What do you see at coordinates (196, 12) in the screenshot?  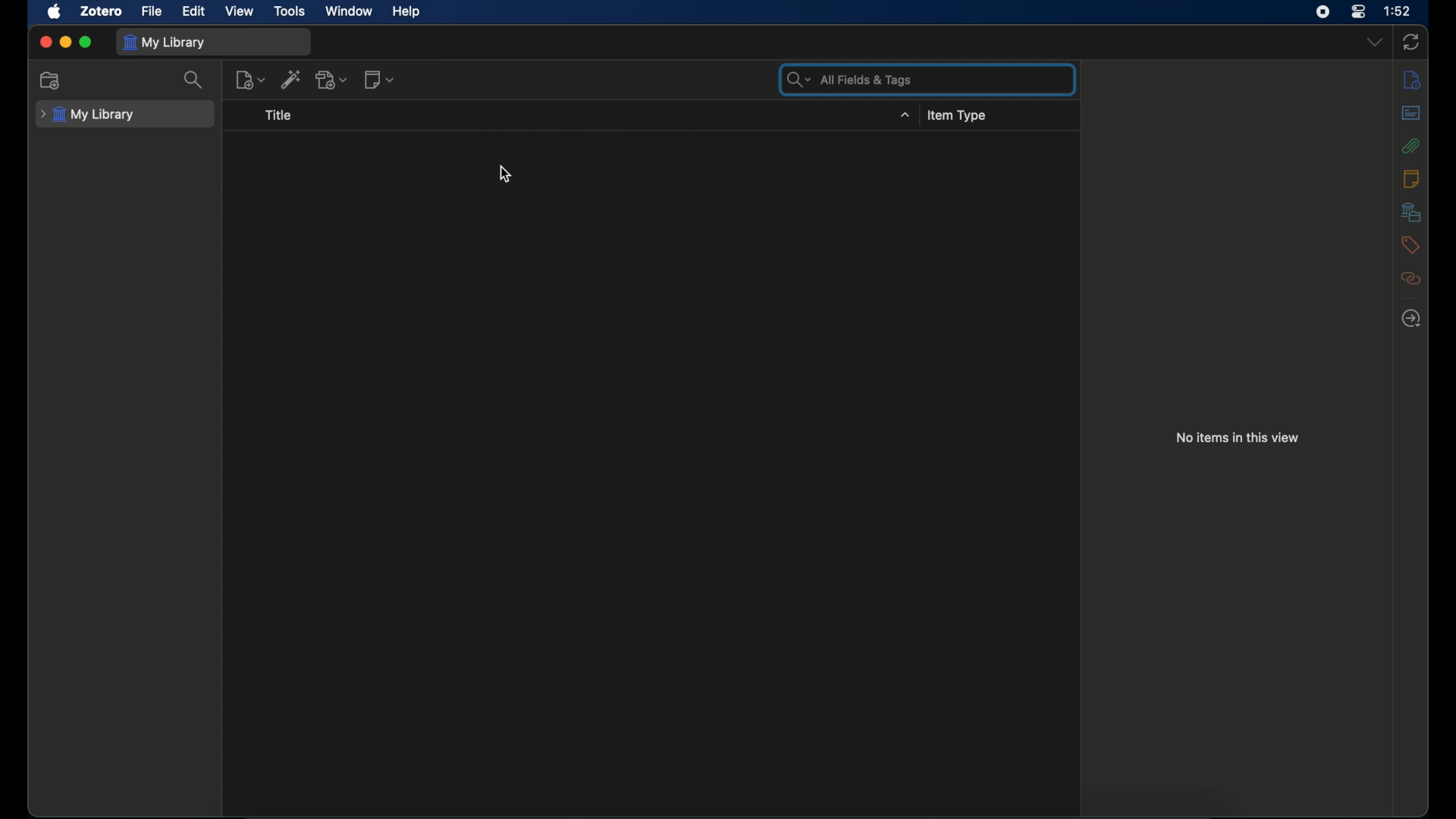 I see `edit` at bounding box center [196, 12].